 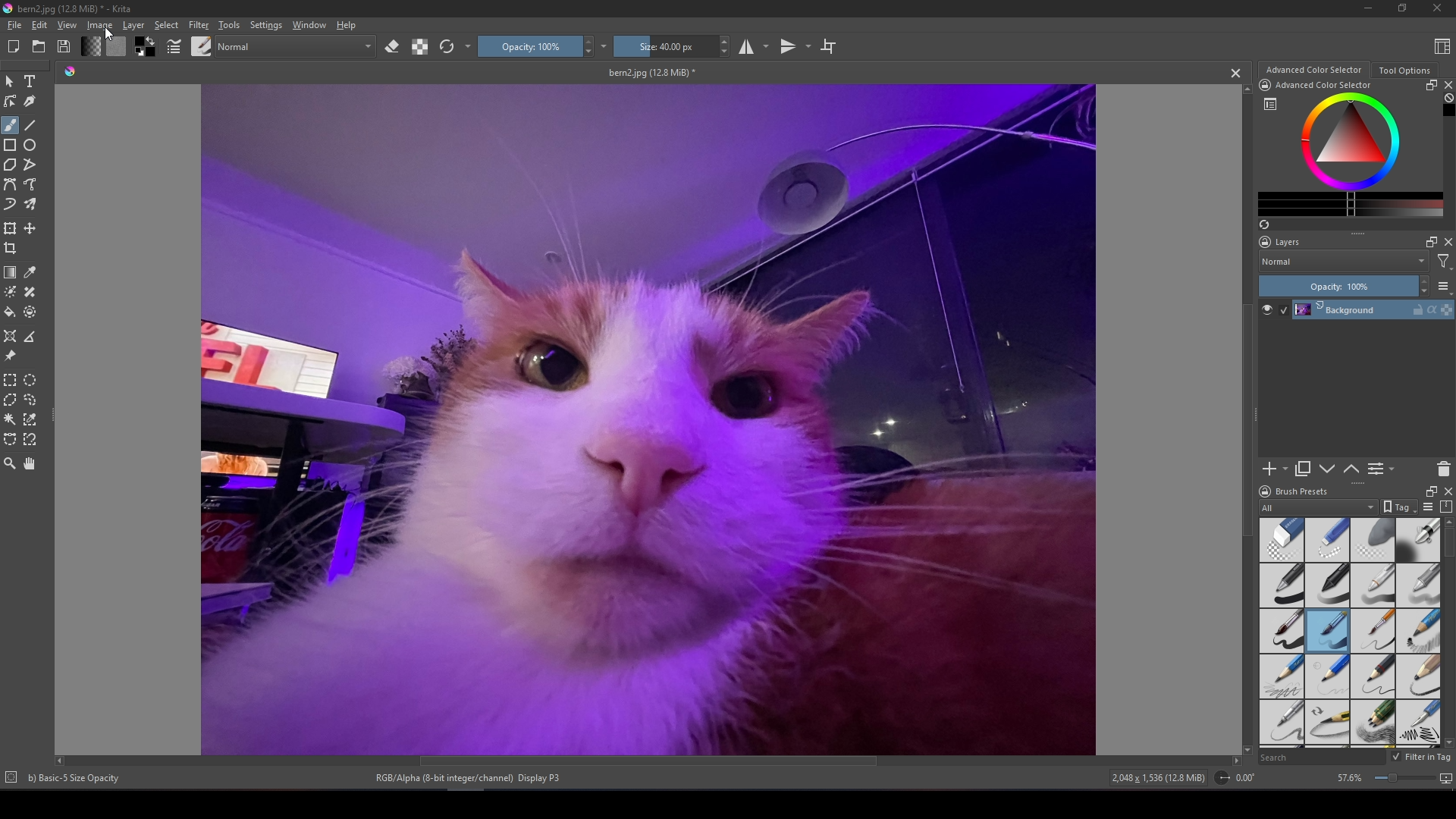 What do you see at coordinates (420, 46) in the screenshot?
I see `Preserve alpha` at bounding box center [420, 46].